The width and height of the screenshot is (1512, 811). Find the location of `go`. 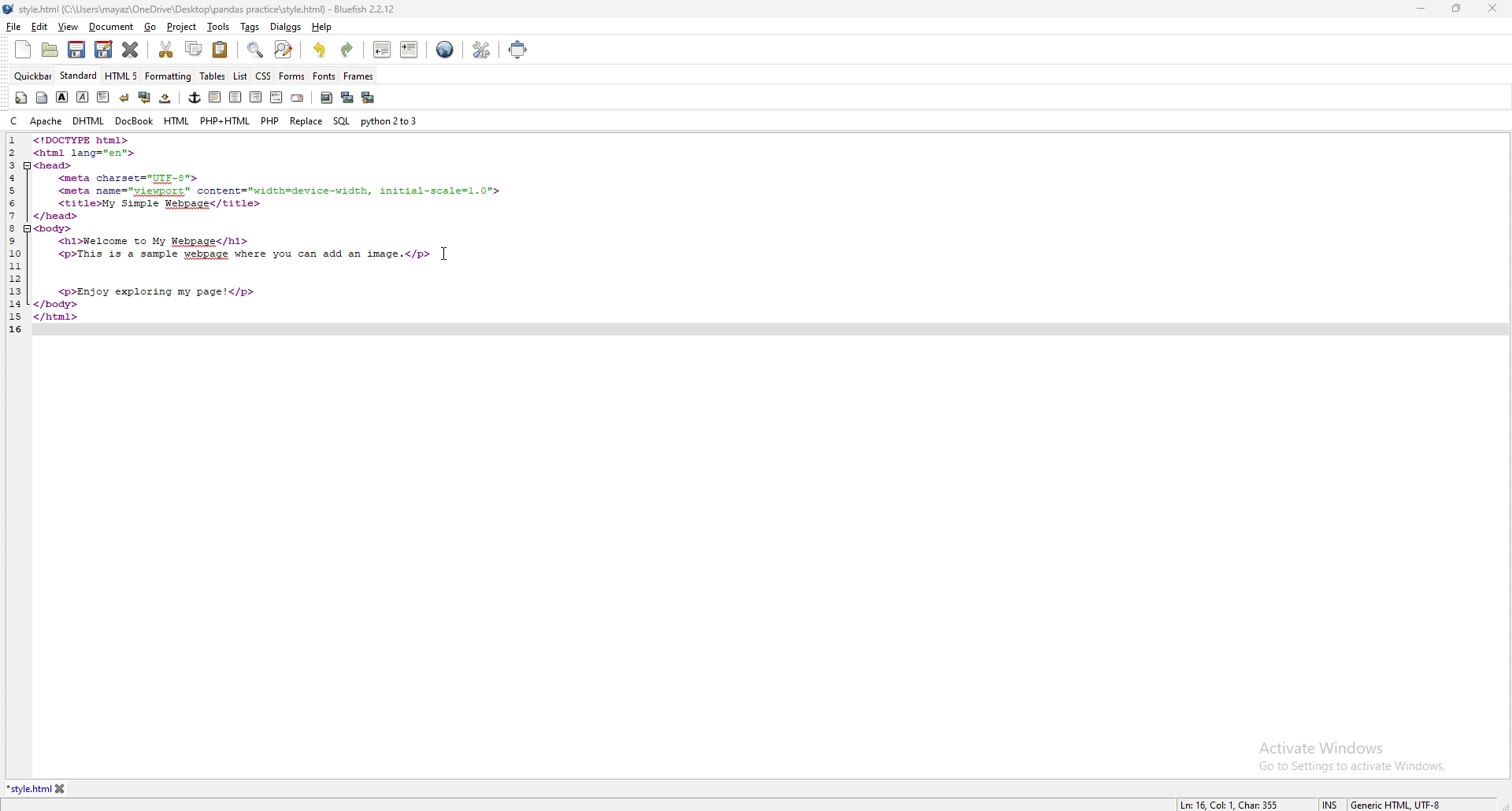

go is located at coordinates (151, 27).